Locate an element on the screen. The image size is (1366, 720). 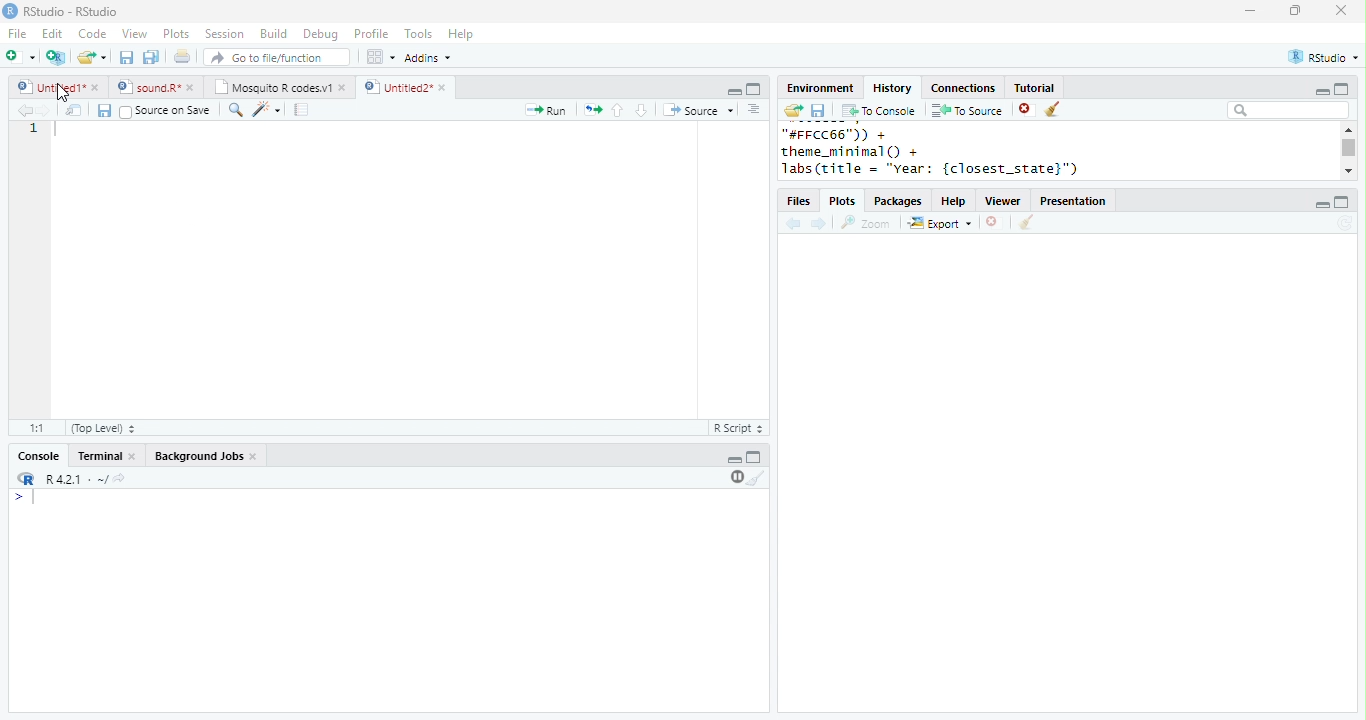
resize is located at coordinates (1295, 11).